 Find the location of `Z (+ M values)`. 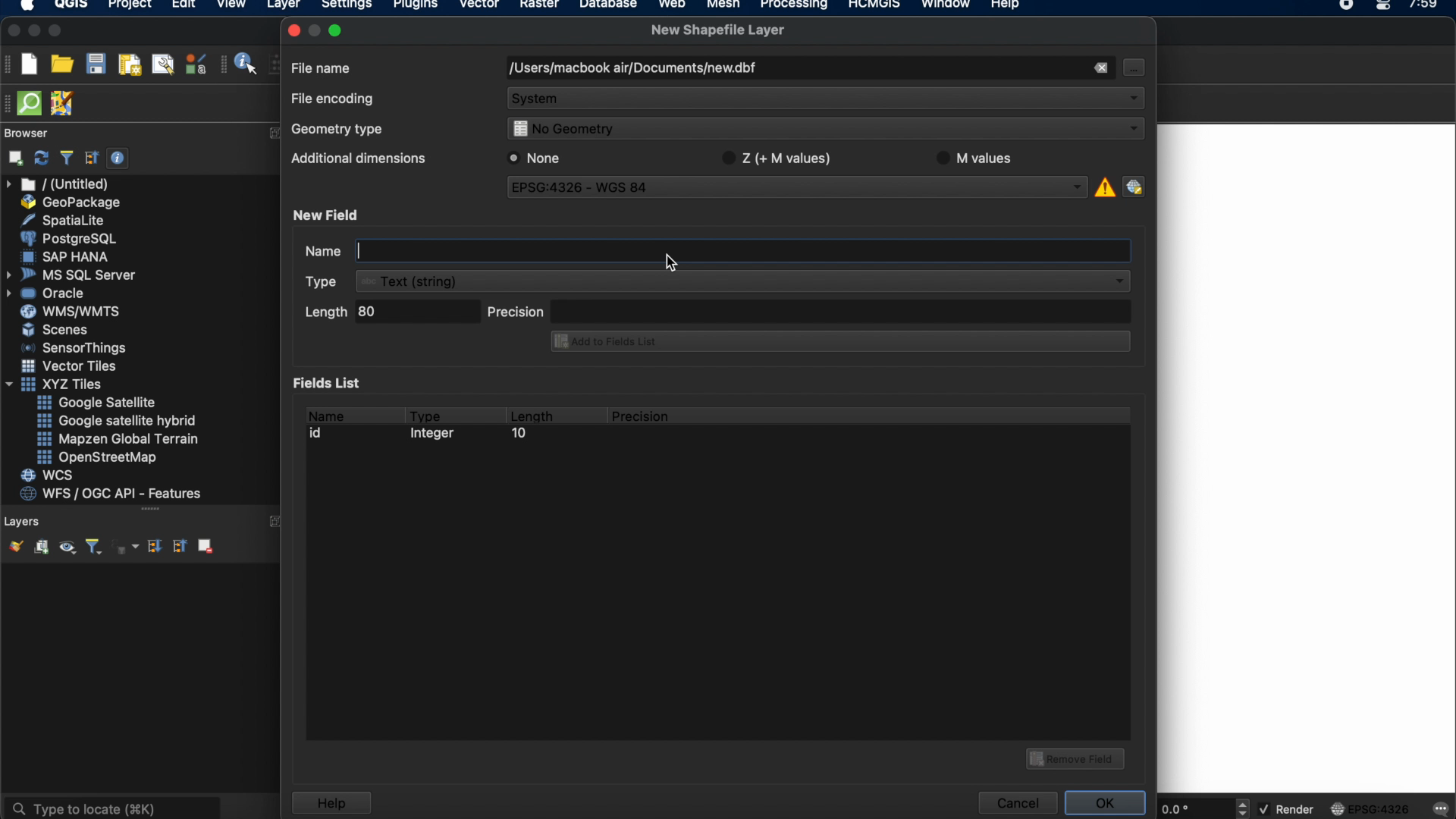

Z (+ M values) is located at coordinates (780, 156).